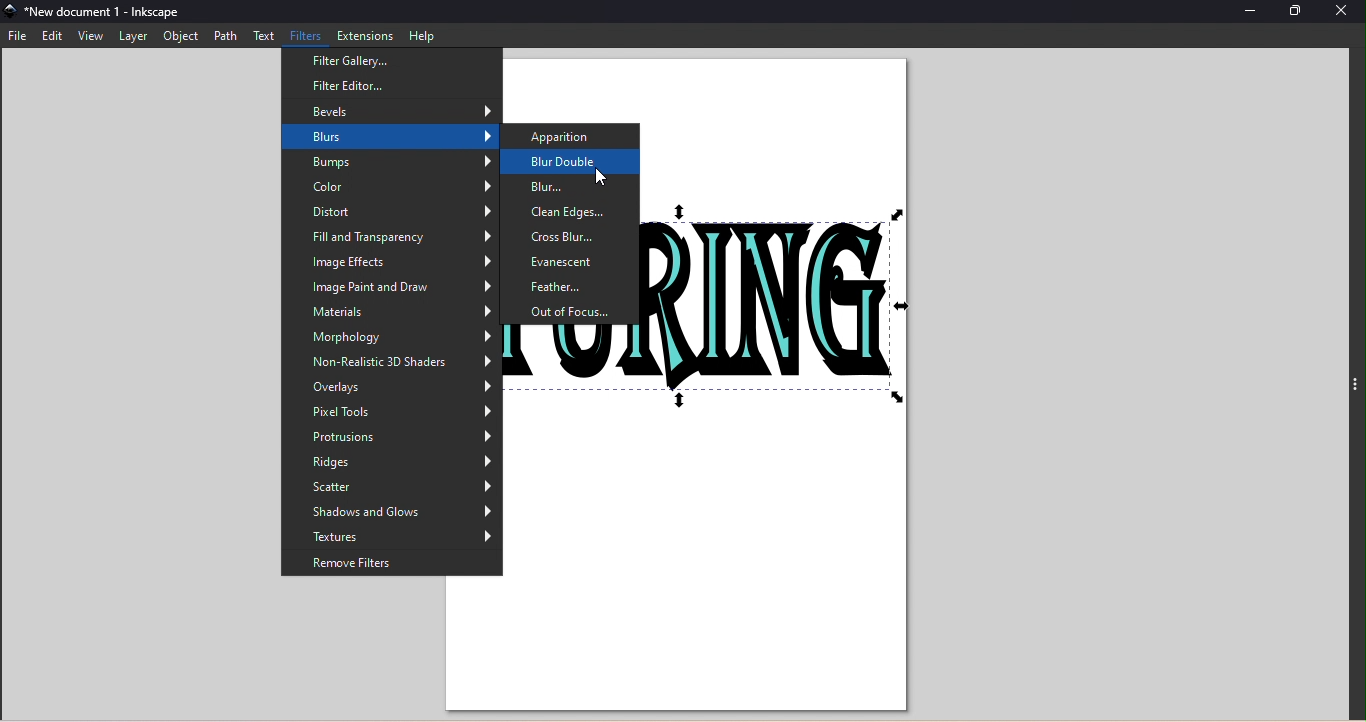  I want to click on Extensions, so click(366, 35).